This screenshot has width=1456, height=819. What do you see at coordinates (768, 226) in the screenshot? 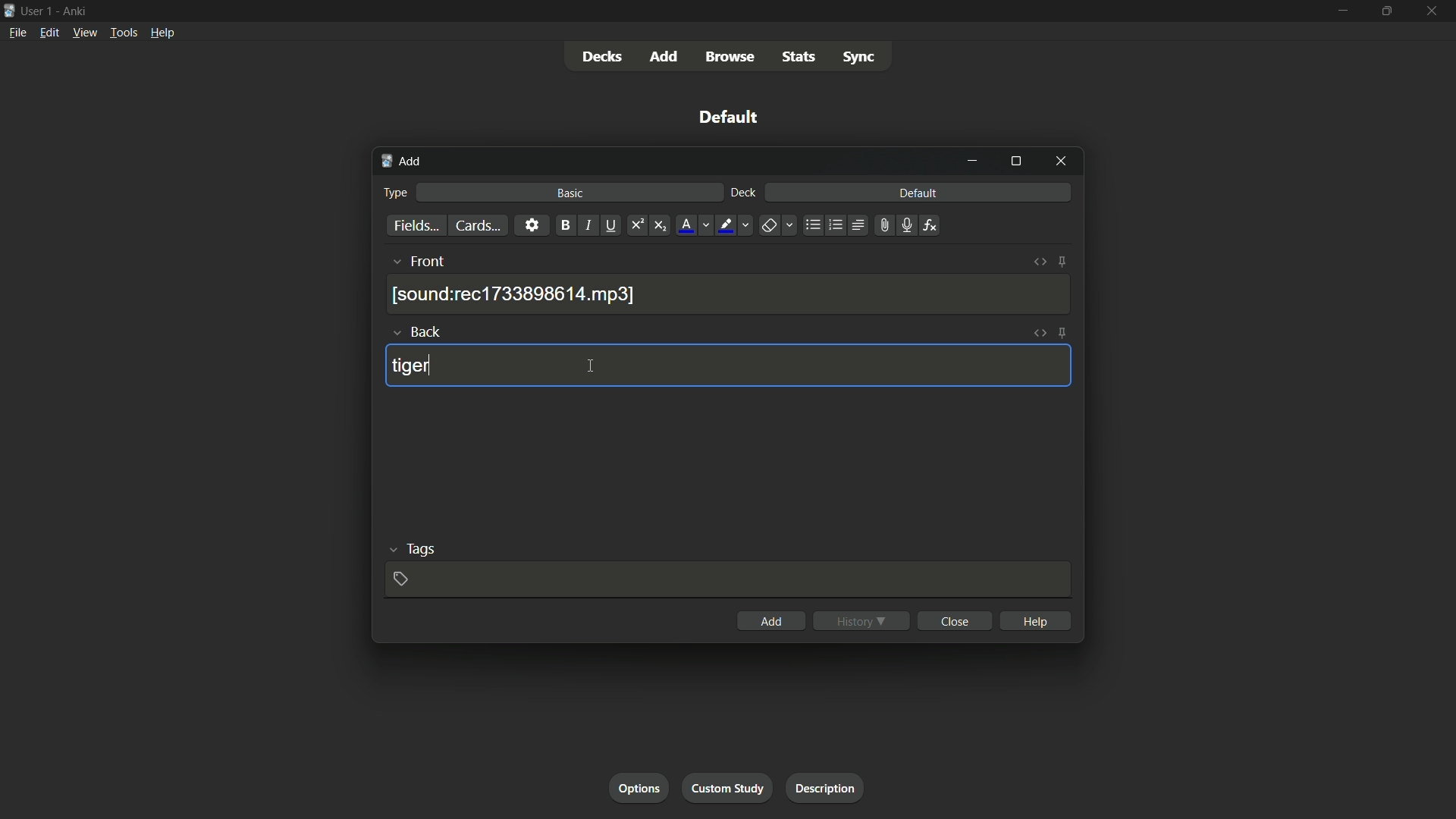
I see `remove  formatting` at bounding box center [768, 226].